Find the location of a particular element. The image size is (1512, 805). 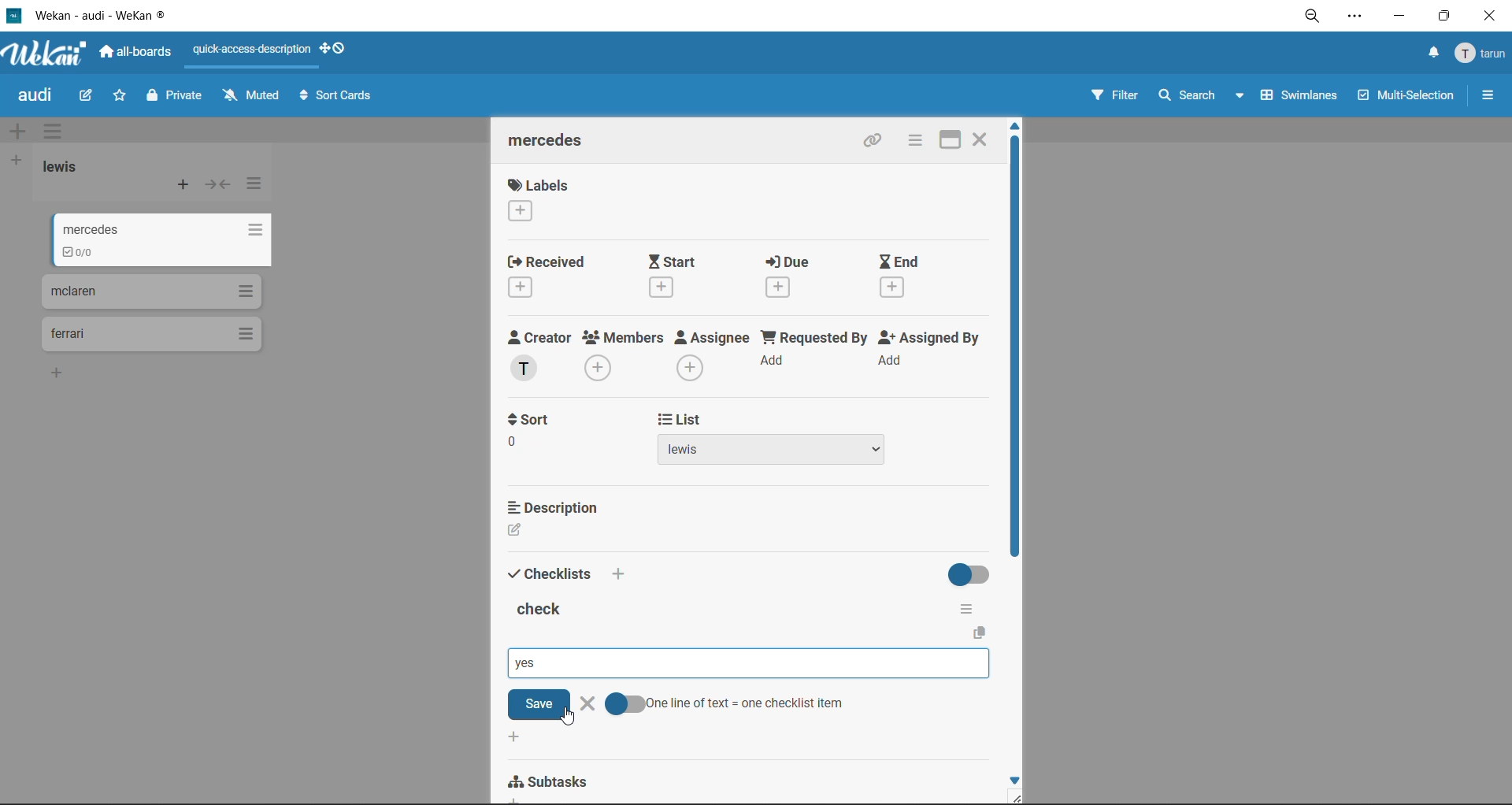

swimlane actions is located at coordinates (57, 133).